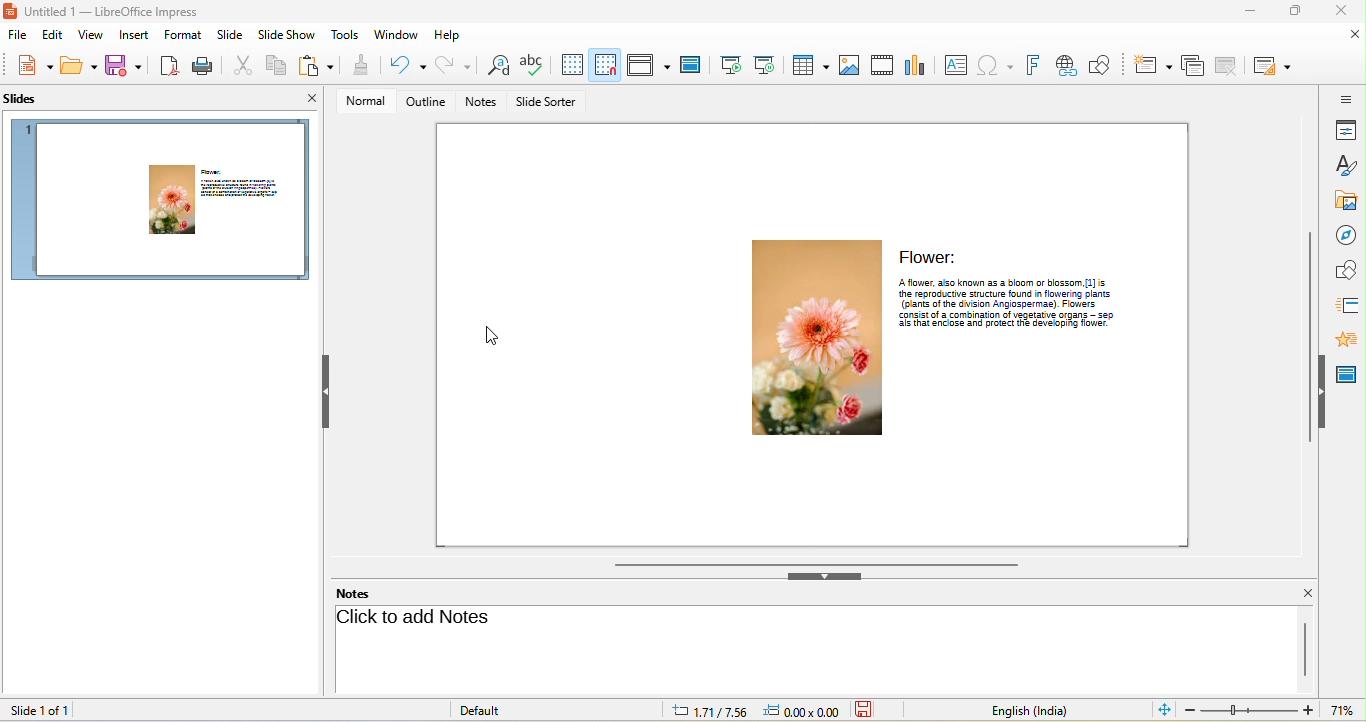 The image size is (1366, 722). What do you see at coordinates (18, 35) in the screenshot?
I see `file` at bounding box center [18, 35].